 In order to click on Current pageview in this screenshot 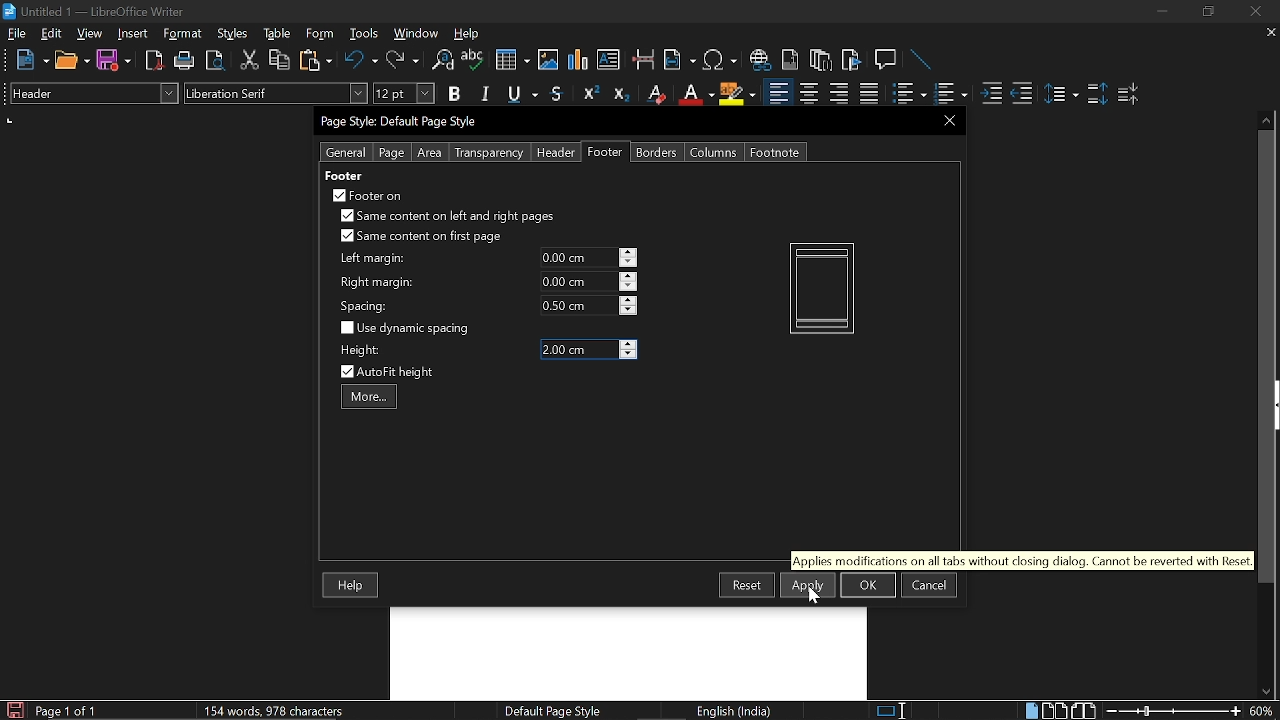, I will do `click(822, 288)`.